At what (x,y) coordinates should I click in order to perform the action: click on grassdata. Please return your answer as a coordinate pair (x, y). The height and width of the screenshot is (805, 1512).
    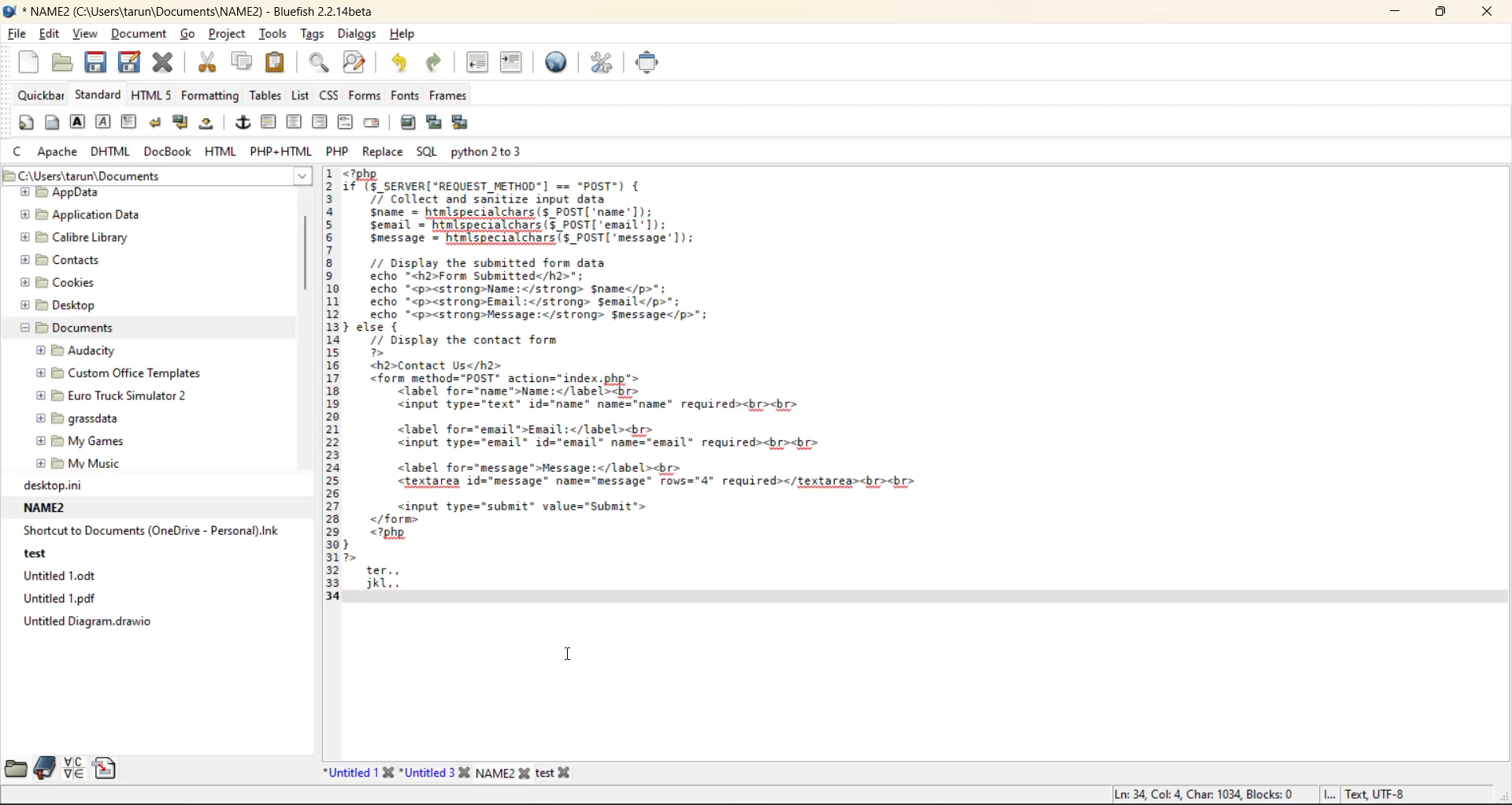
    Looking at the image, I should click on (77, 421).